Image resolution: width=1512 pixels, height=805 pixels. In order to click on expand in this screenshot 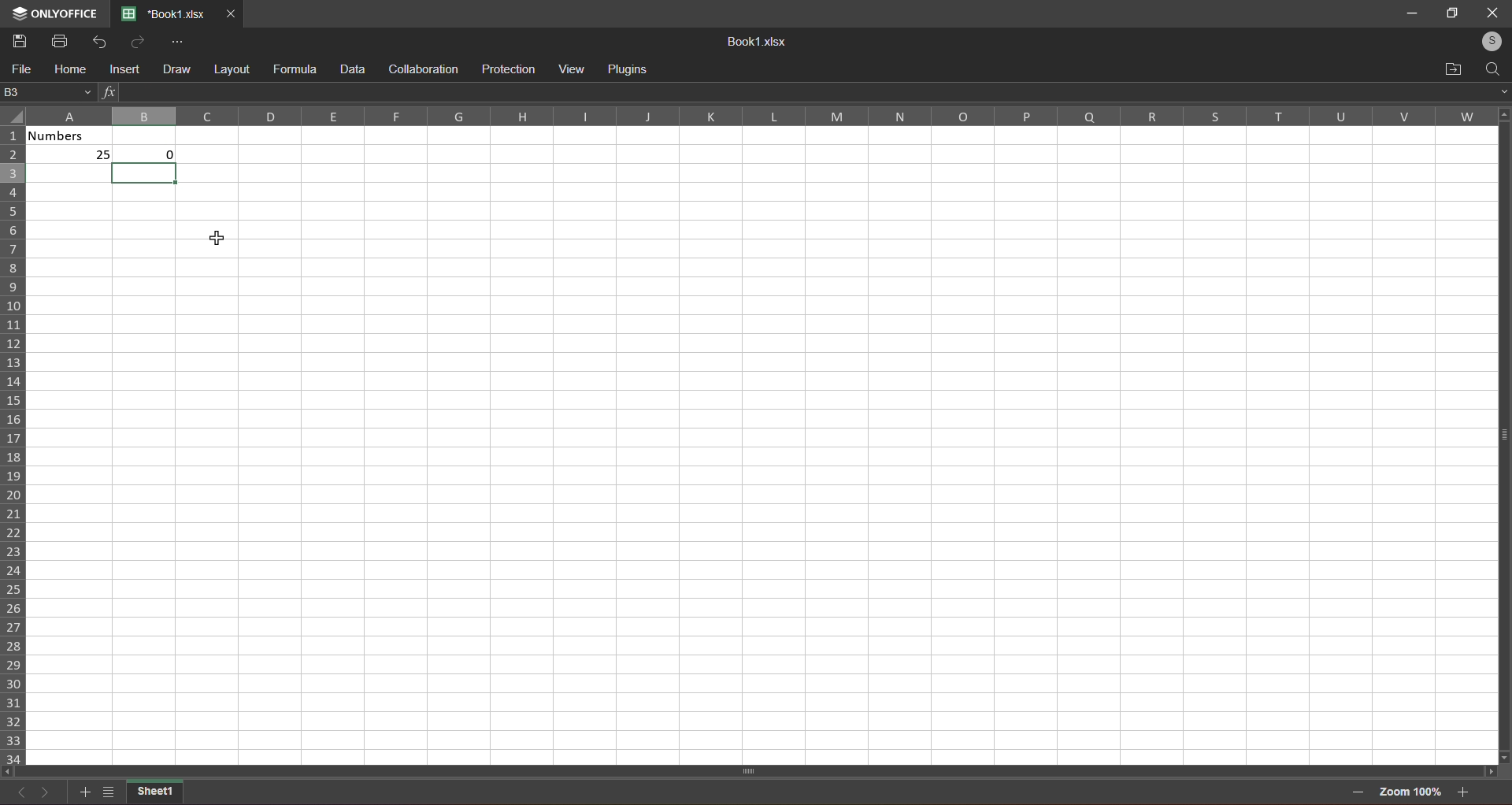, I will do `click(1499, 91)`.